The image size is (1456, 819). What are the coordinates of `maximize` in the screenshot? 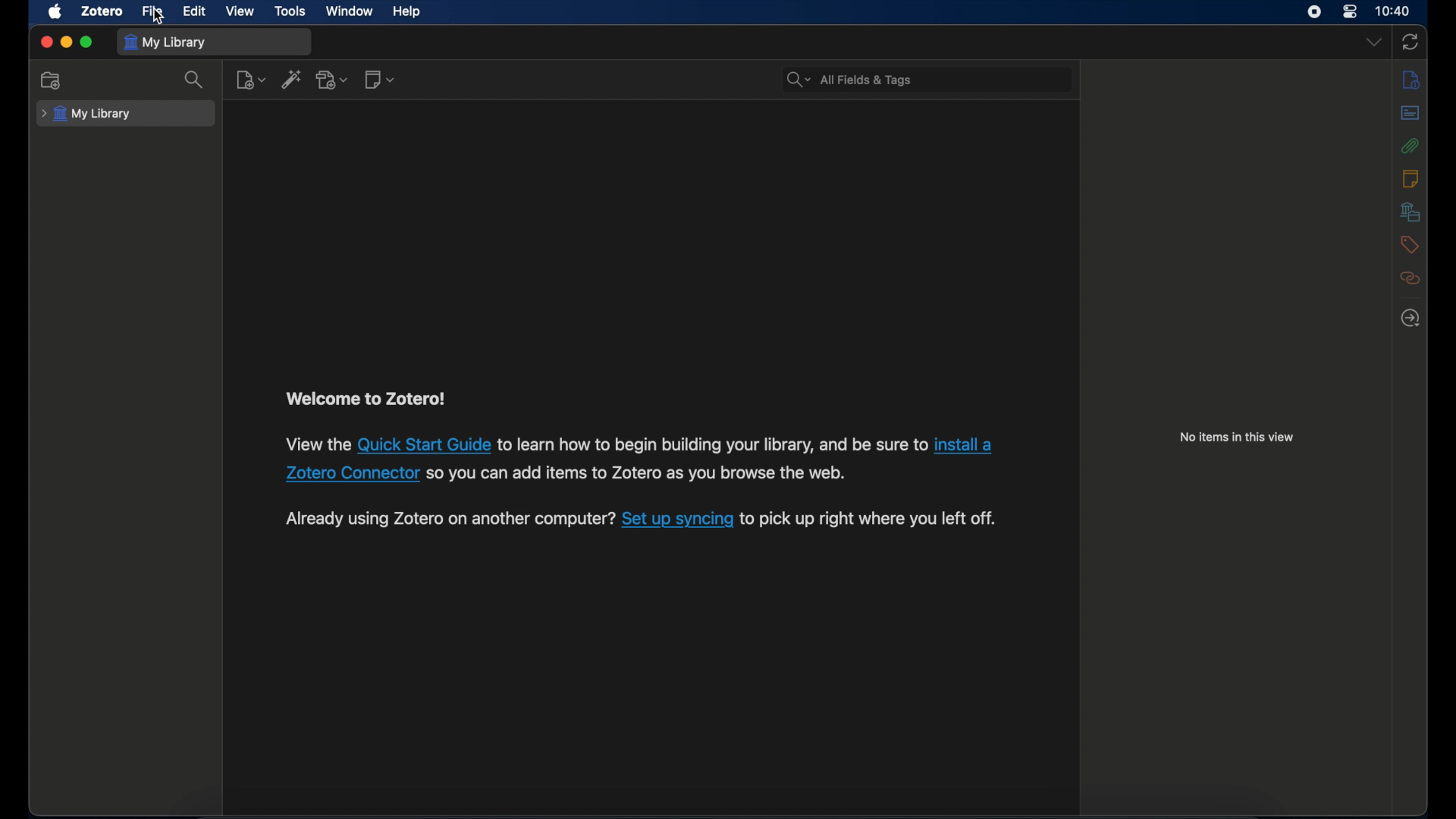 It's located at (86, 42).